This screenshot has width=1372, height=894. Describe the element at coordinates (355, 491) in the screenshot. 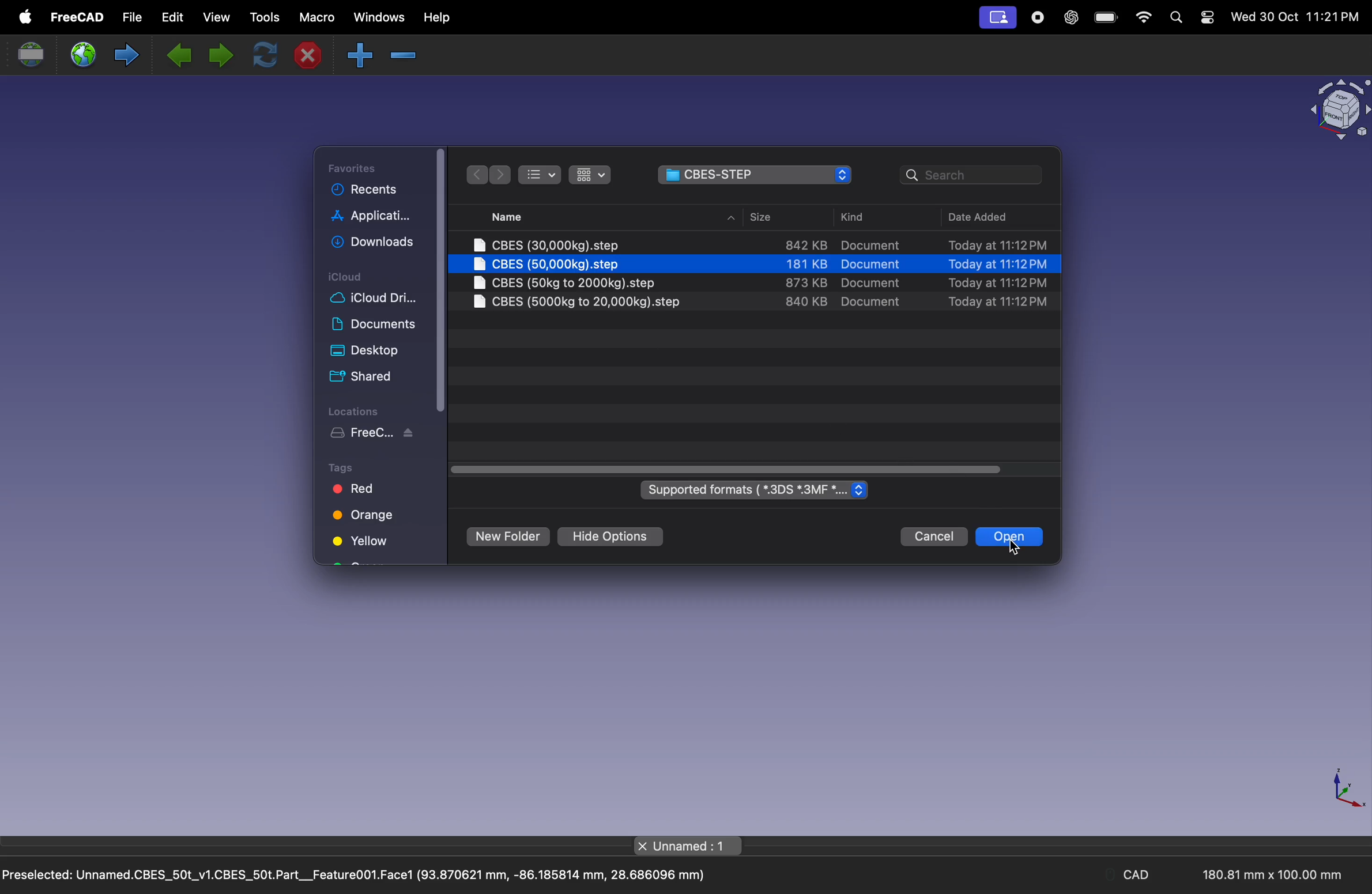

I see `red` at that location.